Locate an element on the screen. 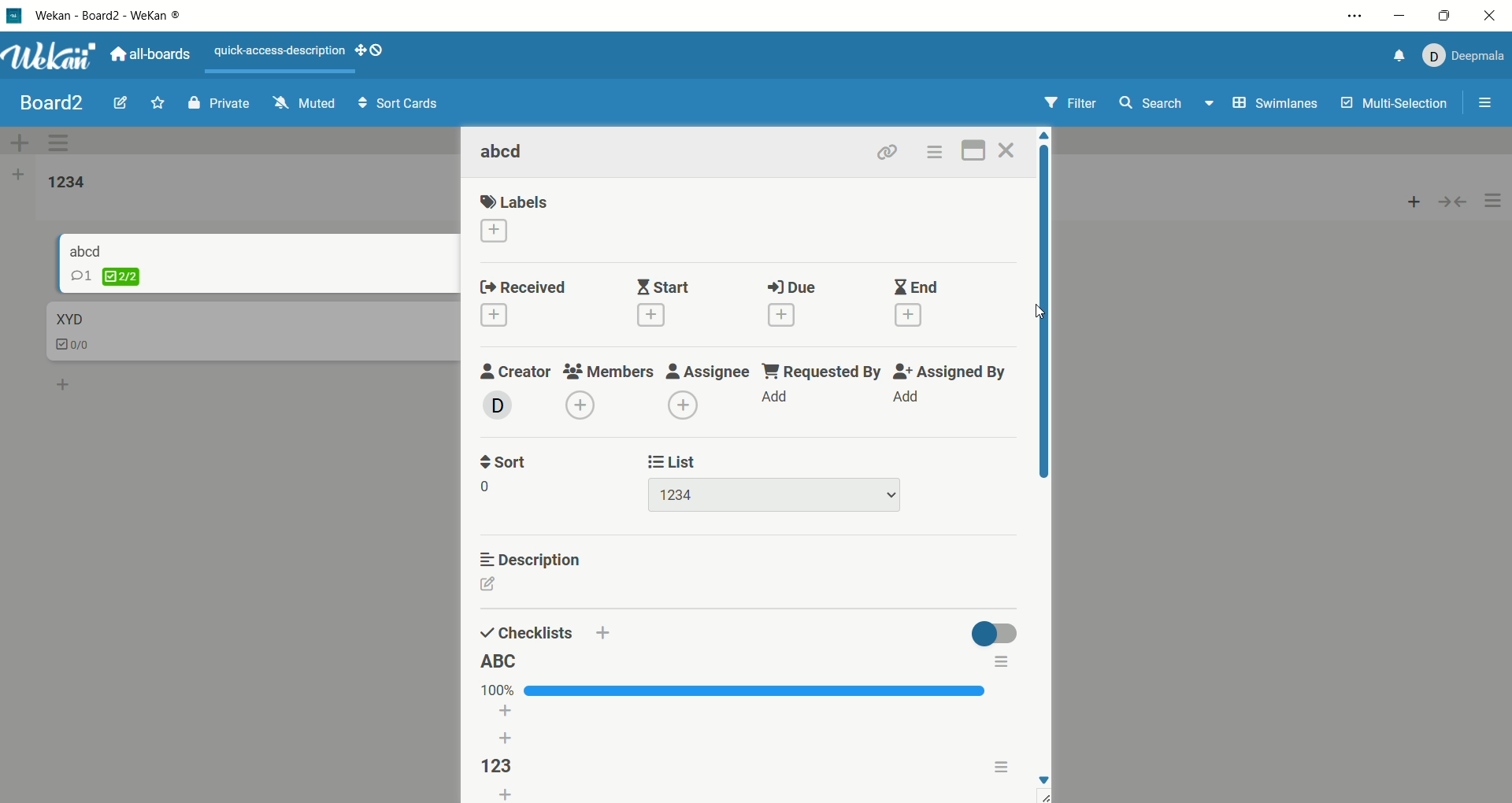 This screenshot has height=803, width=1512. minimize is located at coordinates (1400, 17).